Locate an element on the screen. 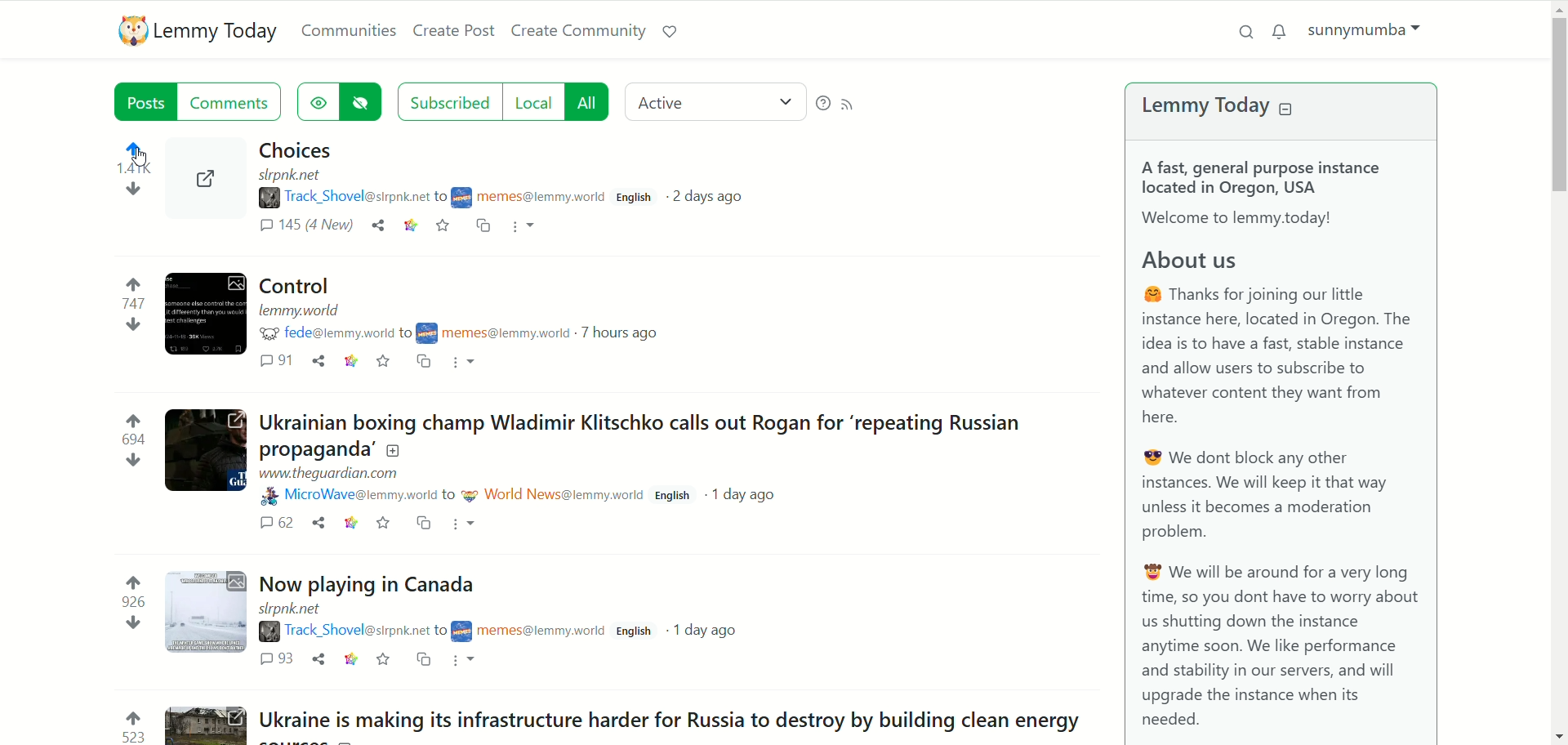 Image resolution: width=1568 pixels, height=745 pixels. share is located at coordinates (319, 658).